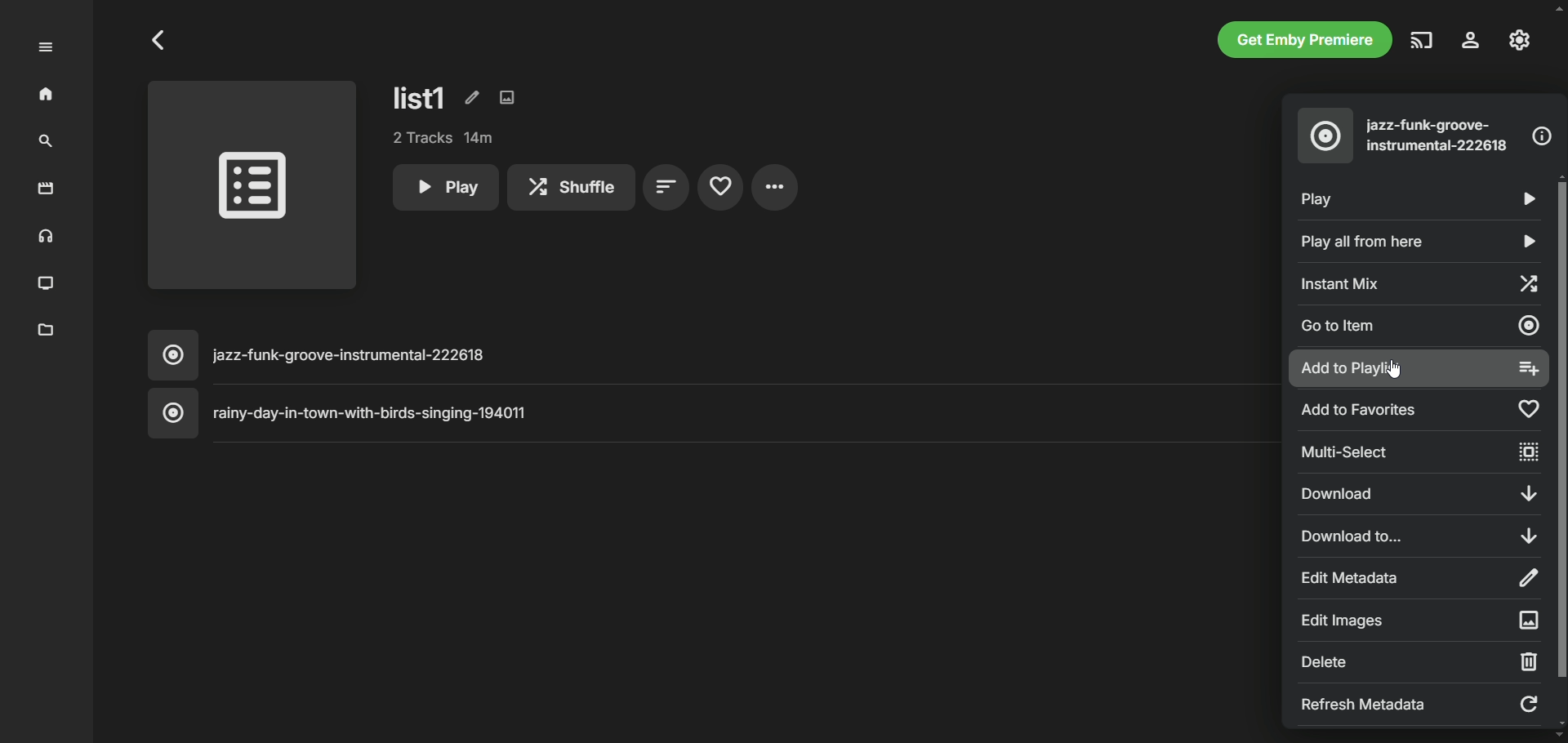 Image resolution: width=1568 pixels, height=743 pixels. I want to click on search, so click(46, 142).